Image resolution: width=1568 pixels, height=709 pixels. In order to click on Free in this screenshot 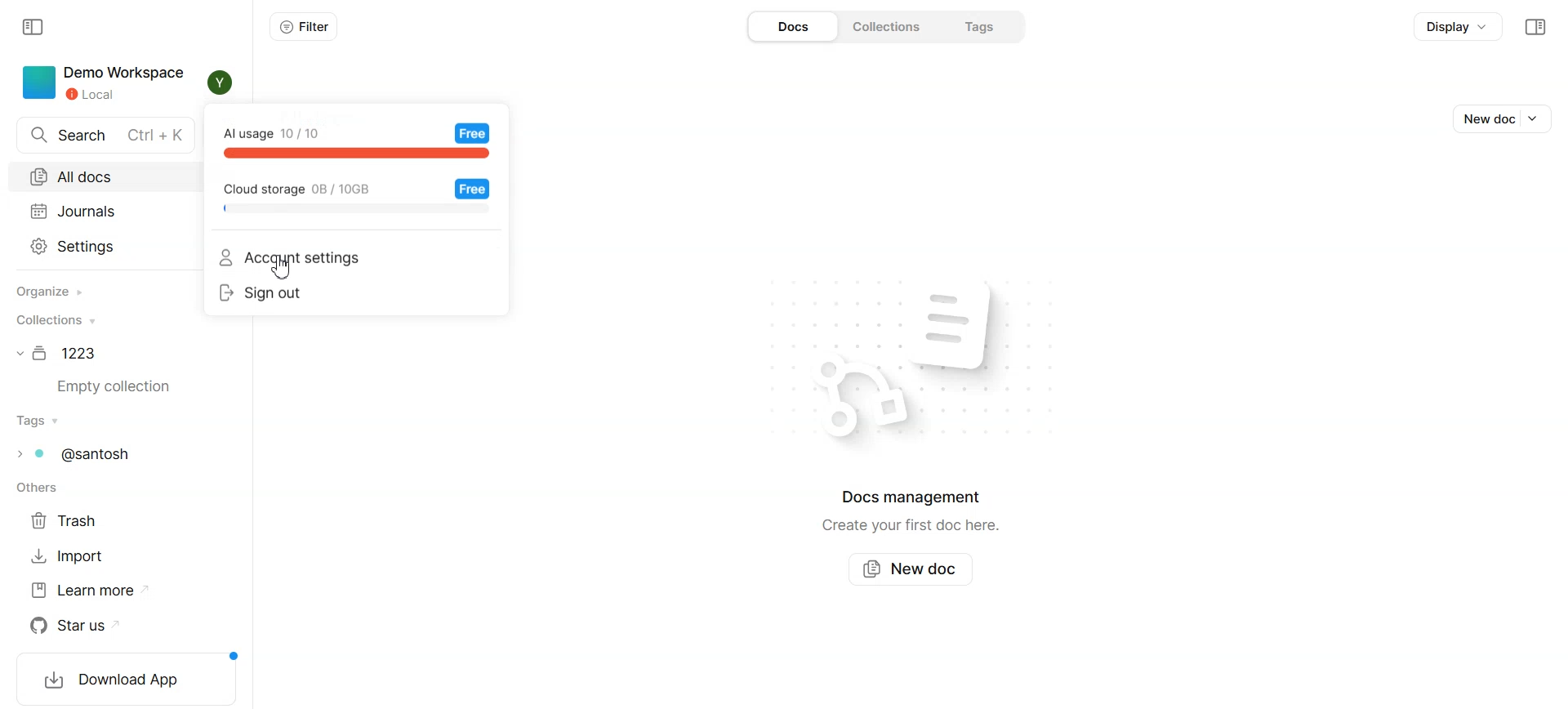, I will do `click(473, 132)`.